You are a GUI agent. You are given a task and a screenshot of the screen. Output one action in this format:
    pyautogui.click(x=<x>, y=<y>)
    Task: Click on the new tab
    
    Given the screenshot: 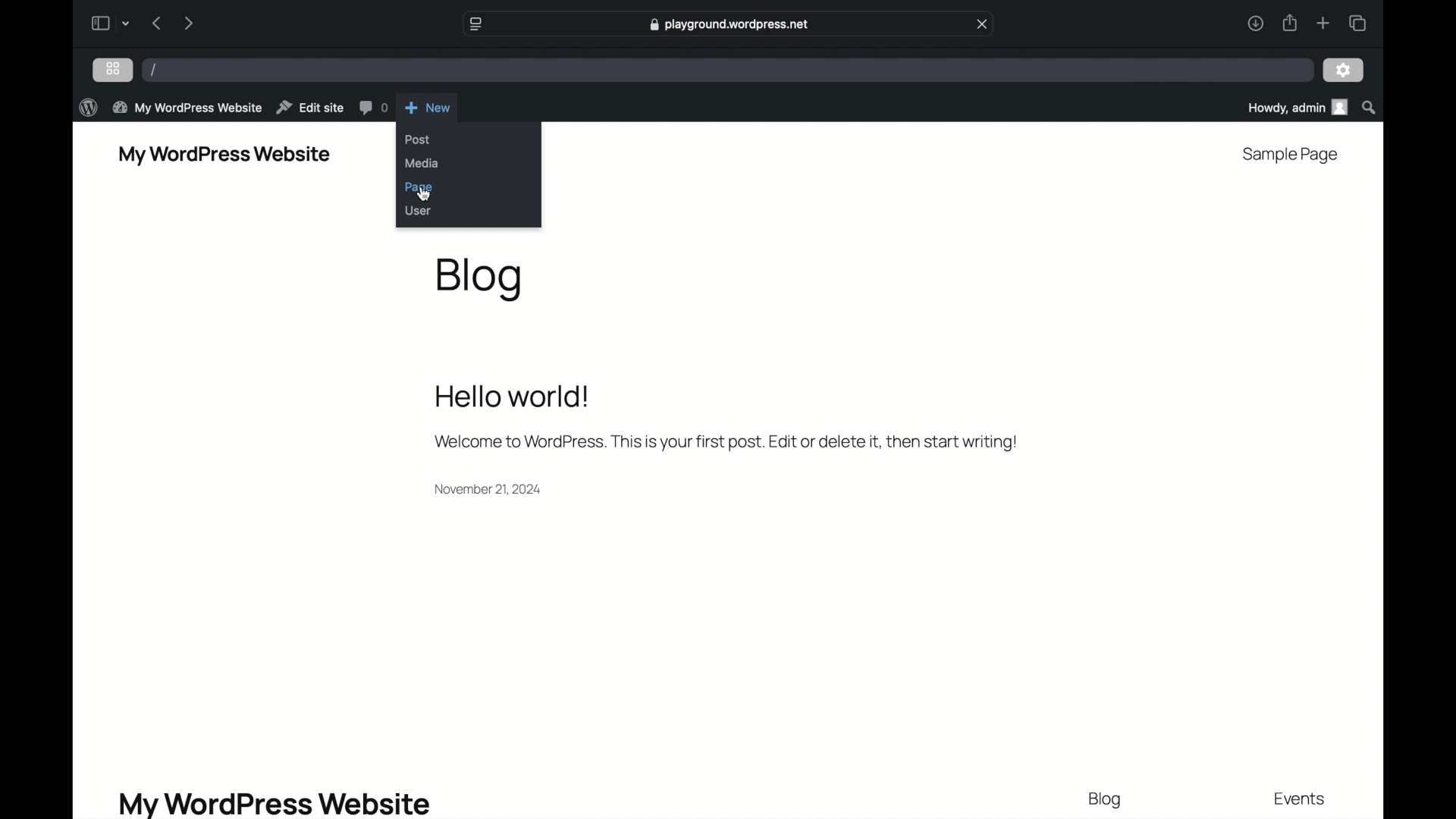 What is the action you would take?
    pyautogui.click(x=1323, y=23)
    